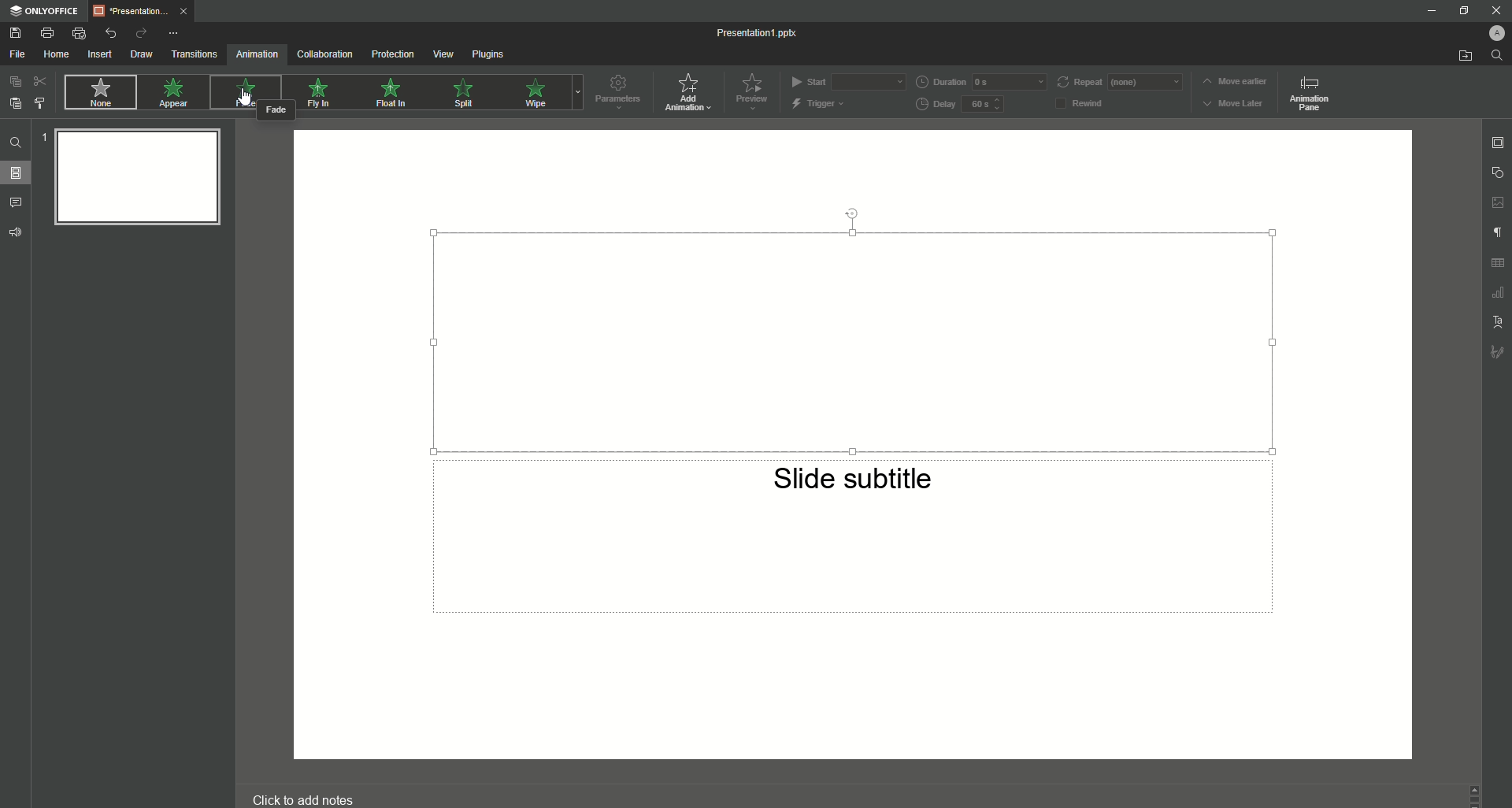 This screenshot has height=808, width=1512. I want to click on Trigger, so click(820, 103).